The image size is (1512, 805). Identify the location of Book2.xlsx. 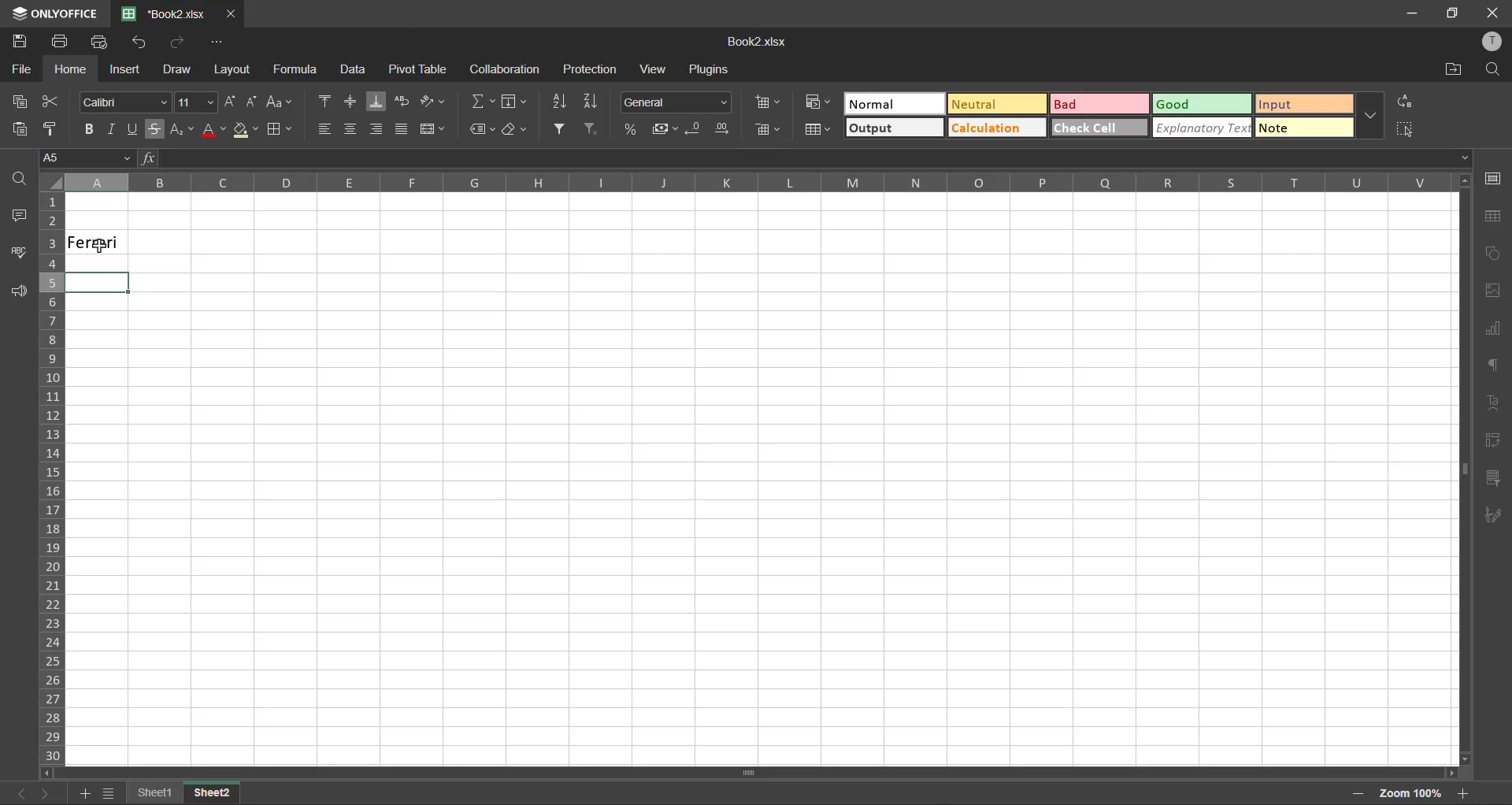
(165, 12).